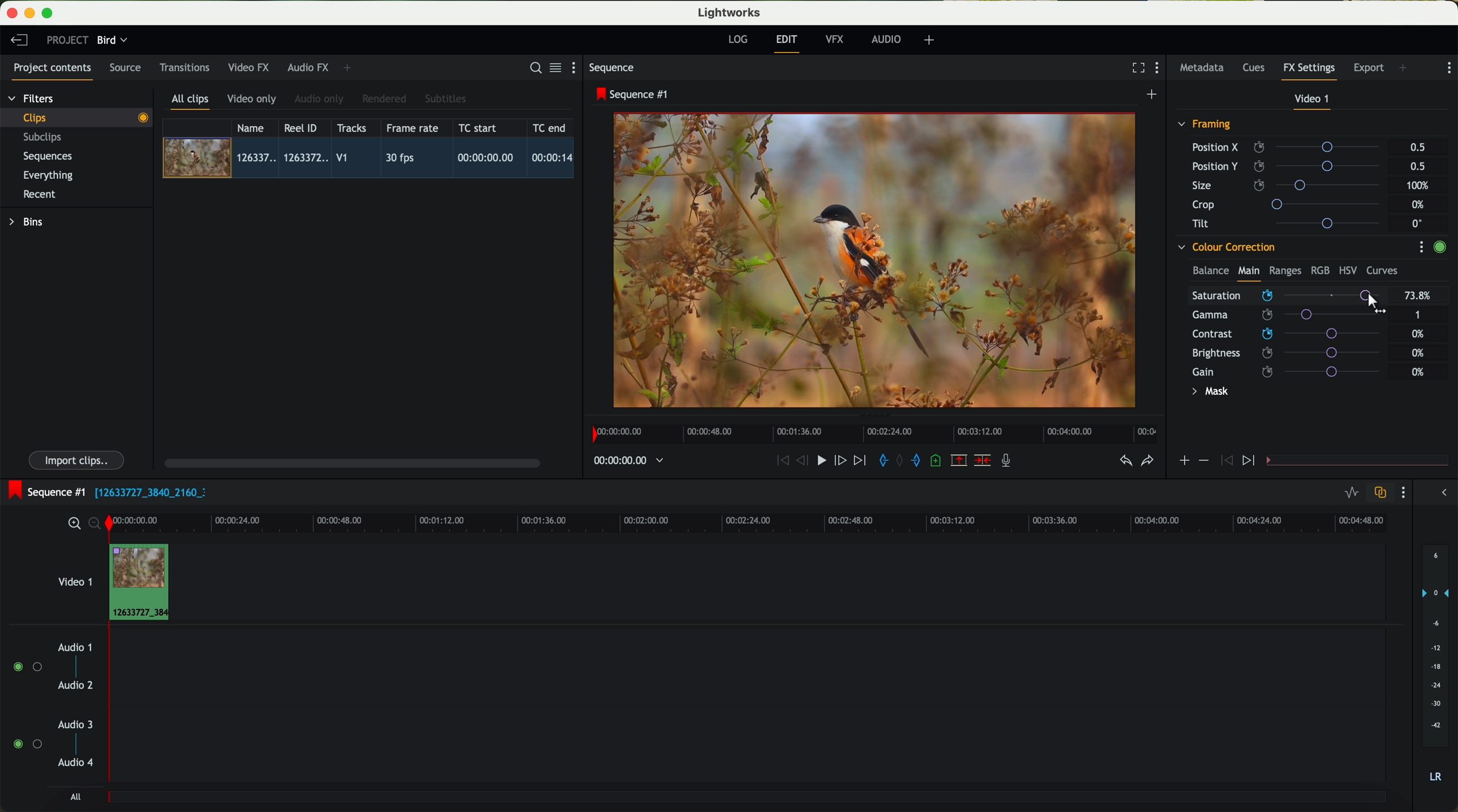  I want to click on delete/cut, so click(983, 461).